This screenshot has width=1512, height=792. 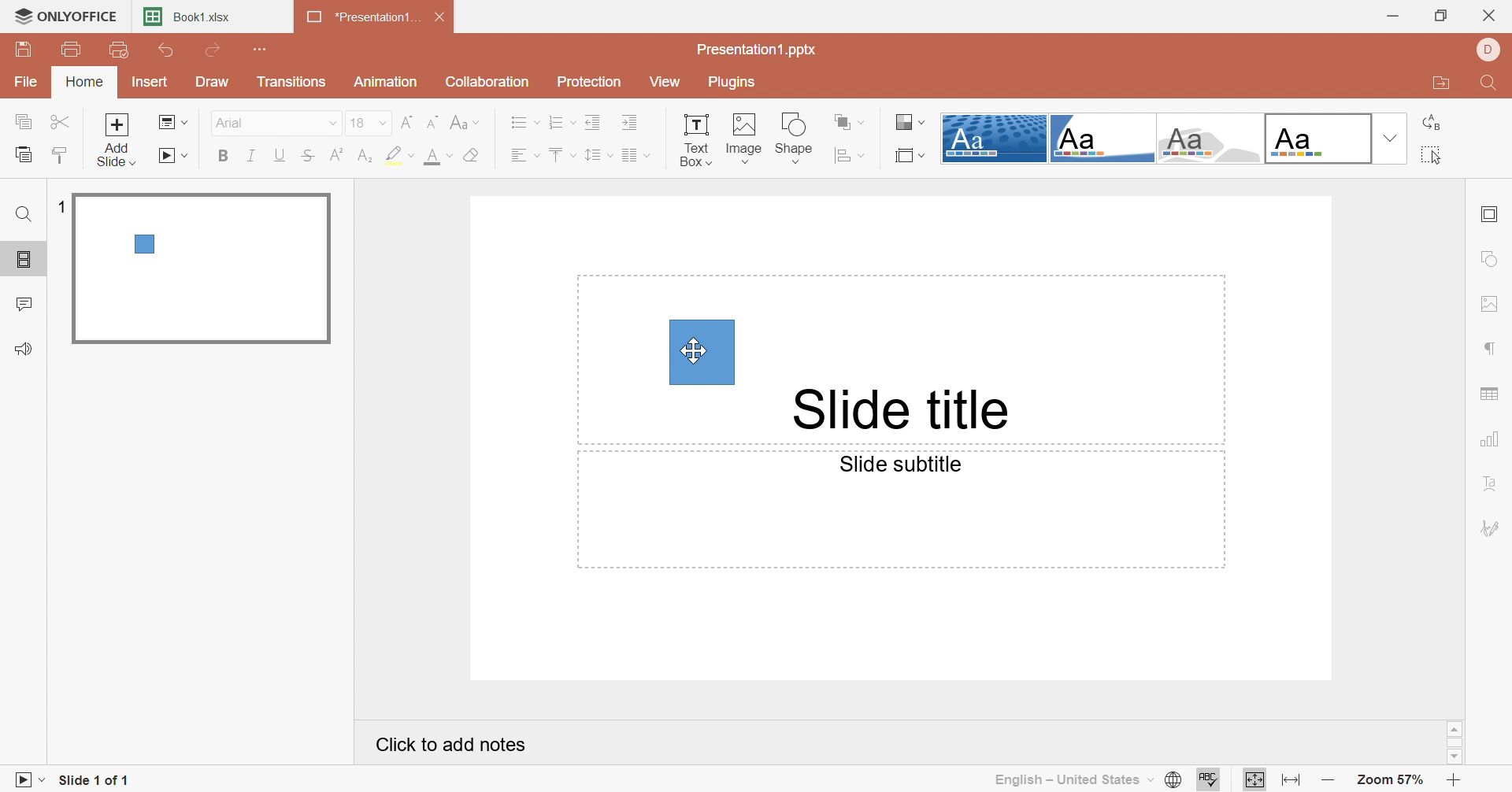 I want to click on Add slide, so click(x=121, y=140).